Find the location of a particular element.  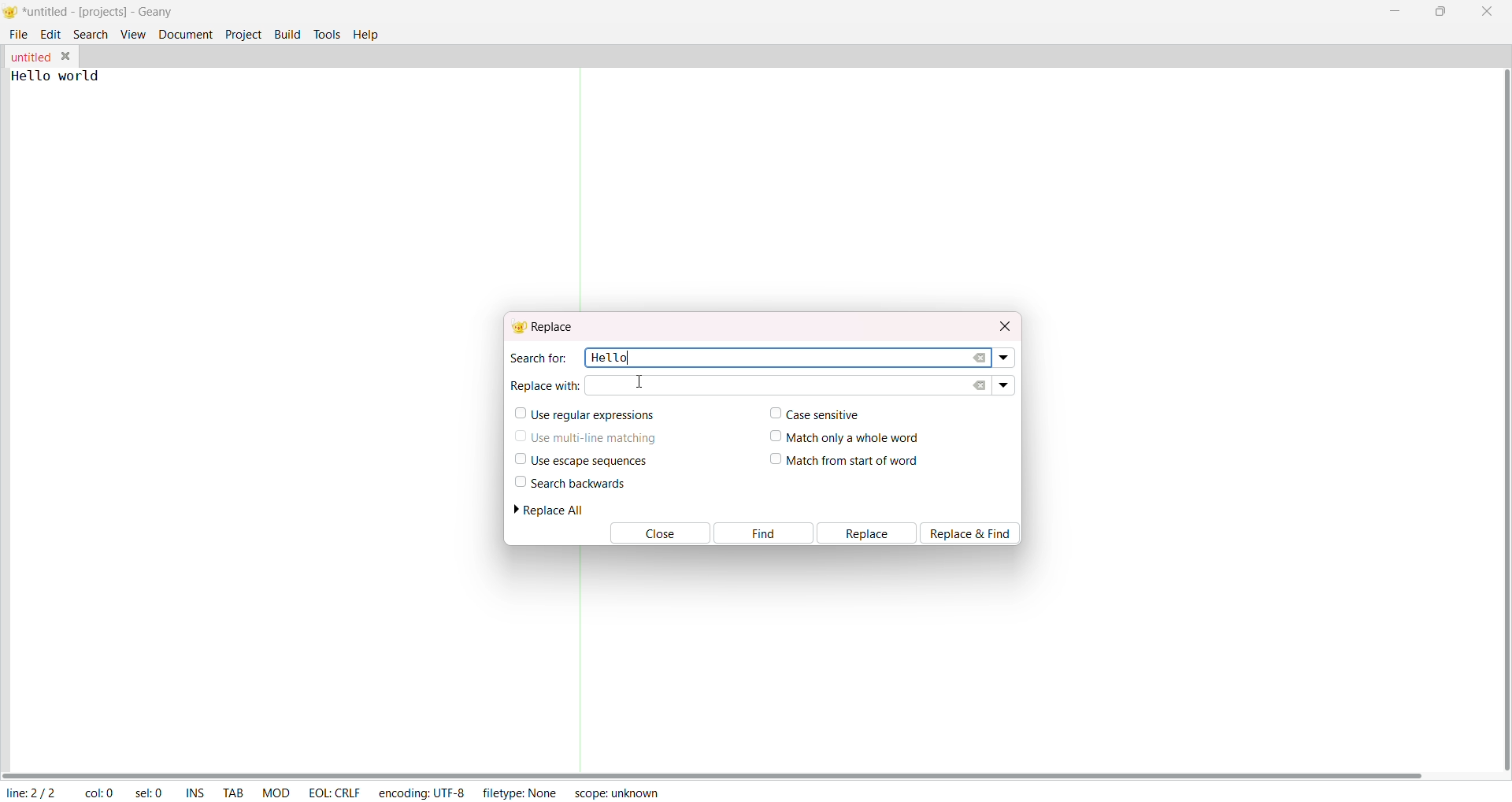

case sensitive is located at coordinates (811, 413).